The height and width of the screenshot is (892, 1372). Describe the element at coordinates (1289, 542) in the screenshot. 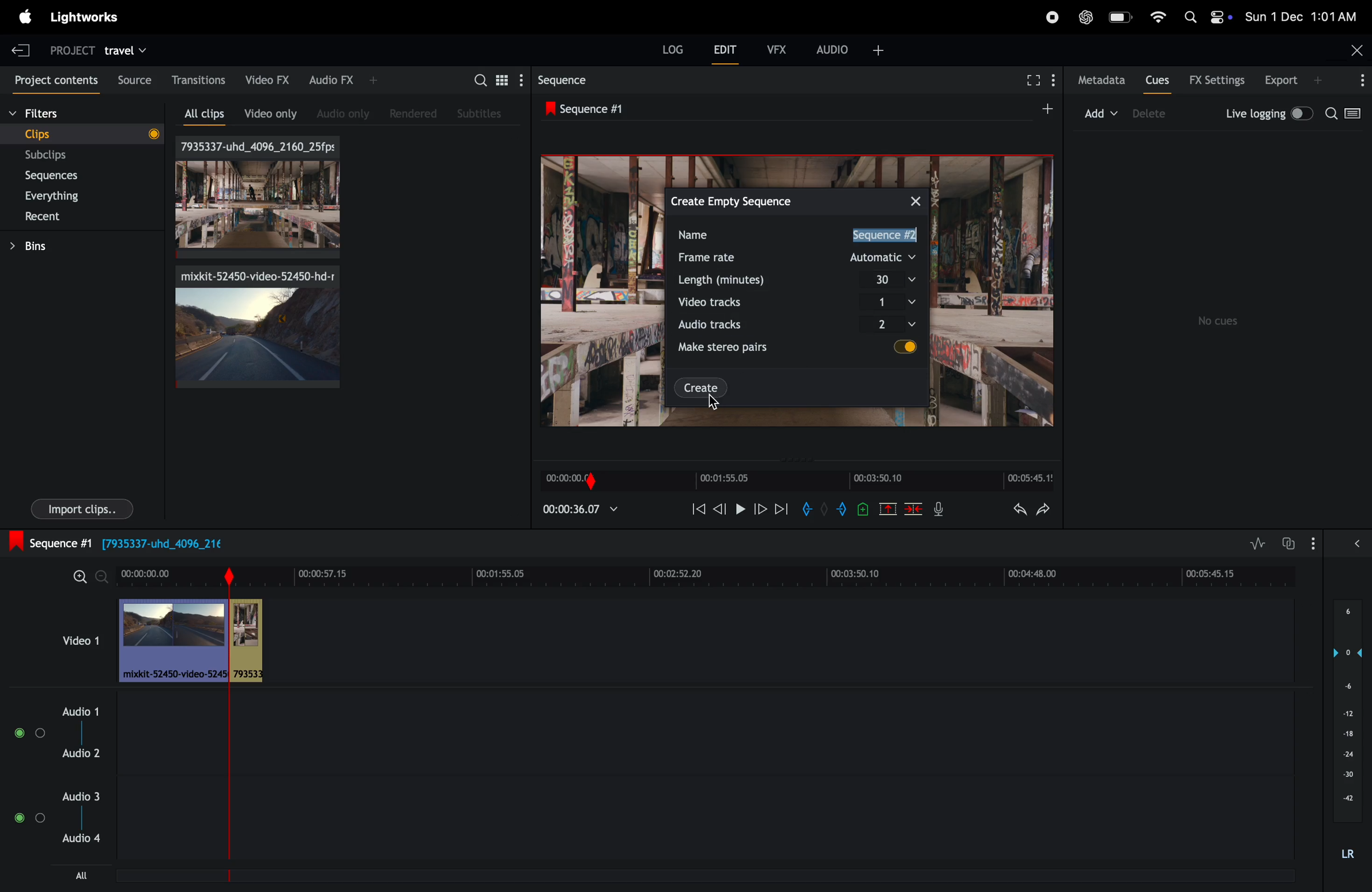

I see `toggle auto track sync` at that location.